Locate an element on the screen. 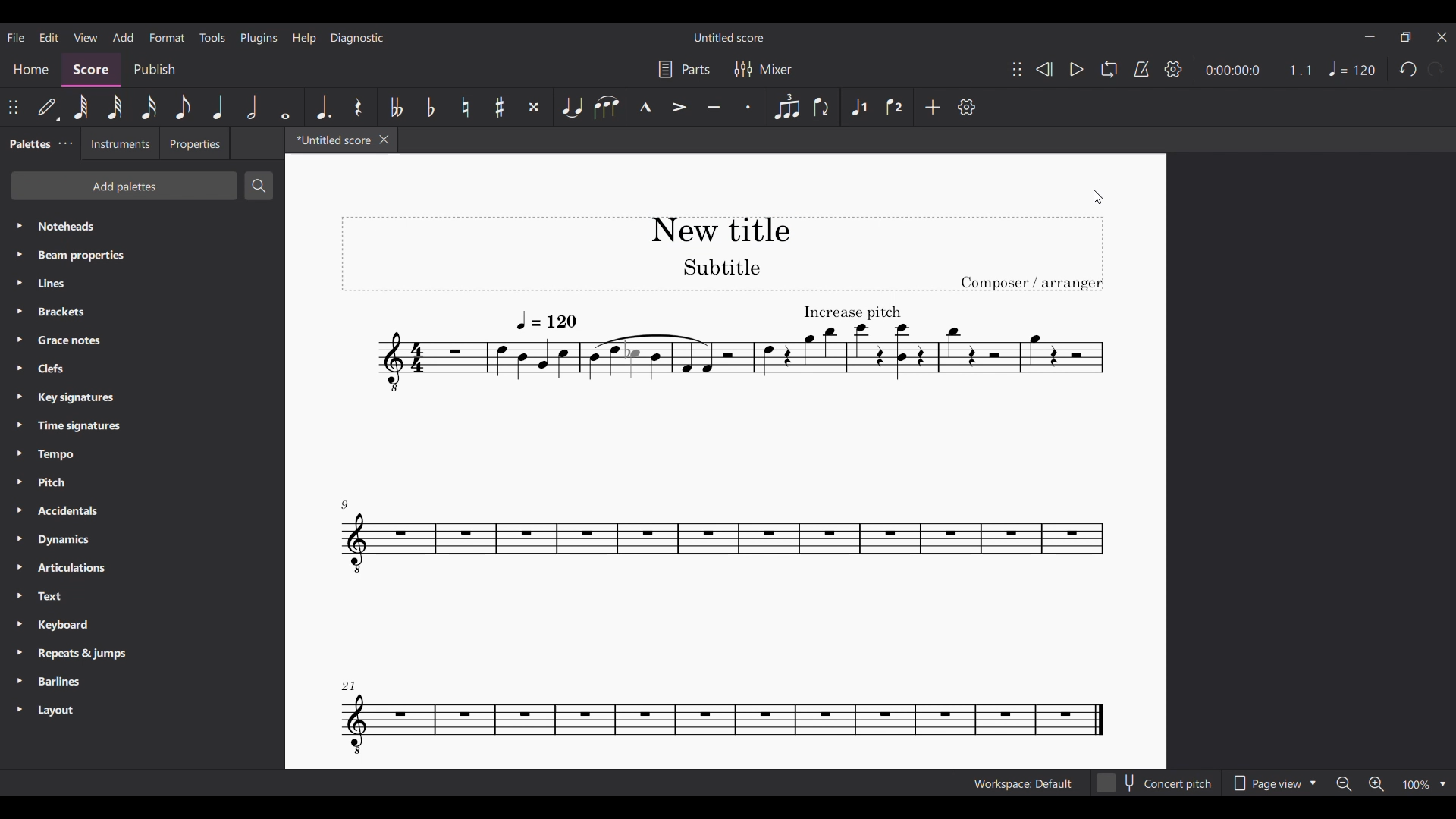 This screenshot has height=819, width=1456. Properties is located at coordinates (194, 143).